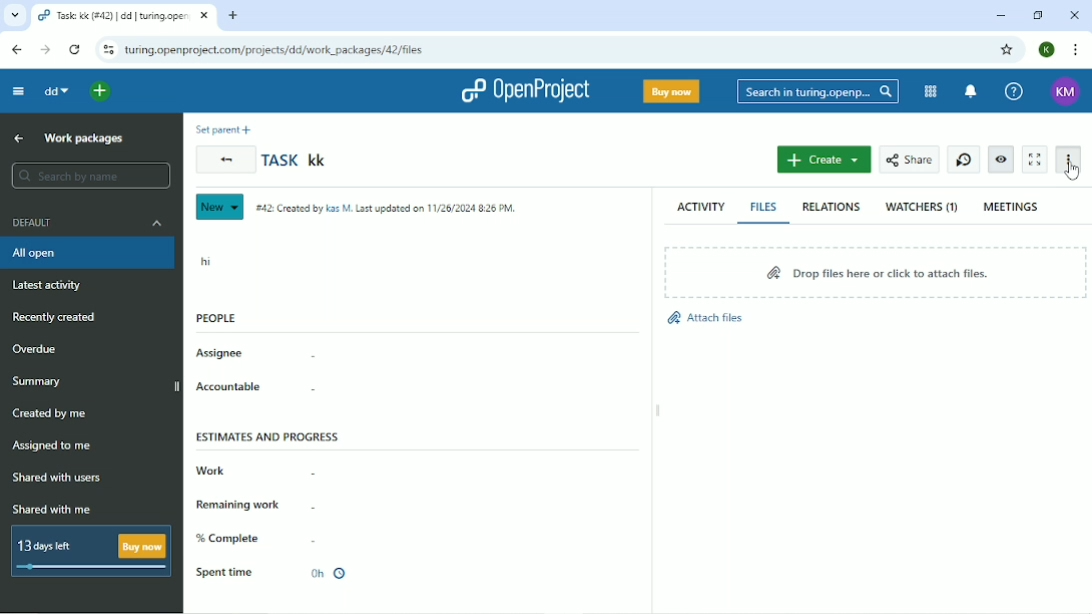  I want to click on Shared with me, so click(53, 508).